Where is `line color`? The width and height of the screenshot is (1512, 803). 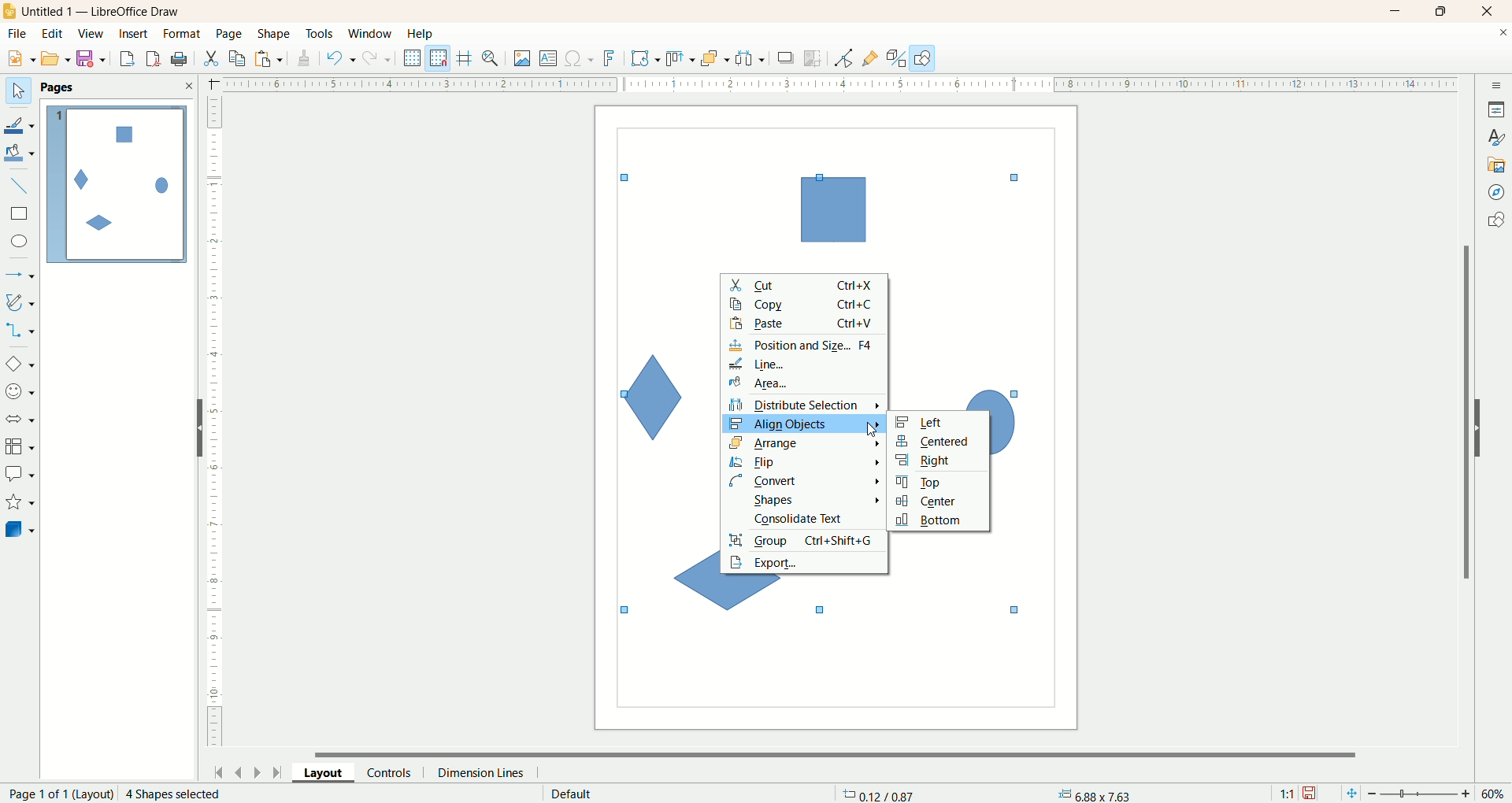 line color is located at coordinates (20, 124).